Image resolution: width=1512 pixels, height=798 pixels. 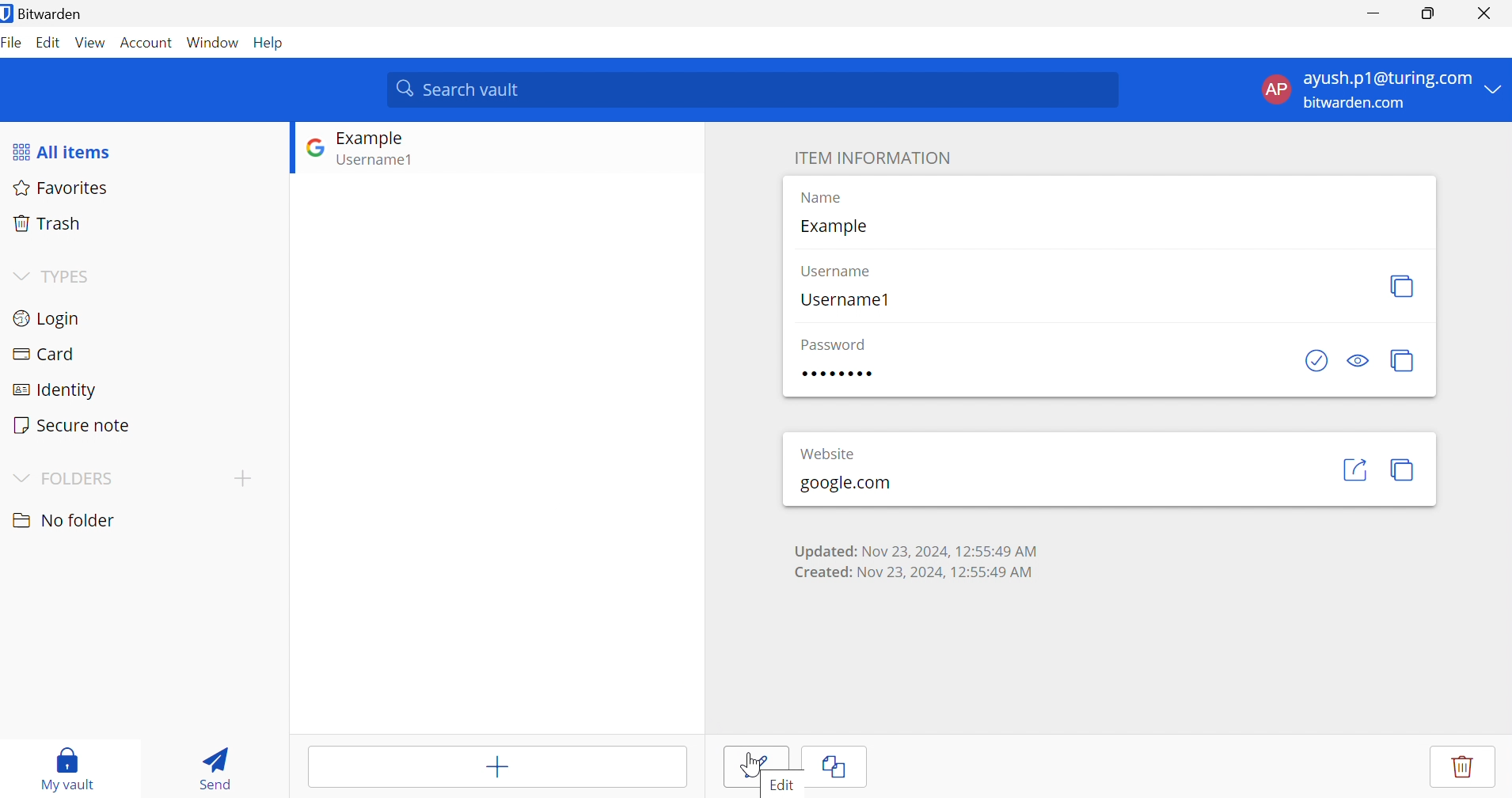 What do you see at coordinates (835, 766) in the screenshot?
I see `Clone` at bounding box center [835, 766].